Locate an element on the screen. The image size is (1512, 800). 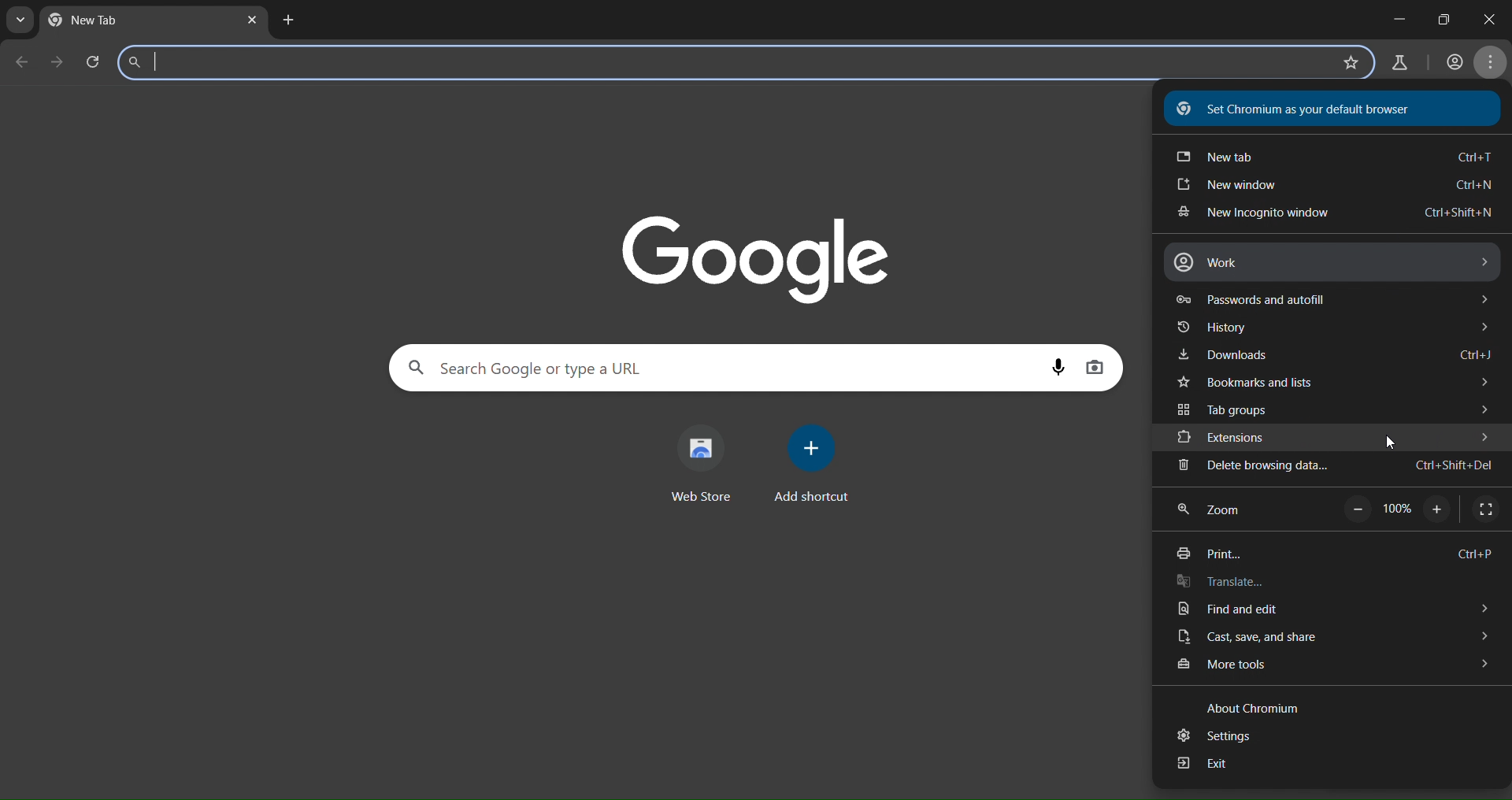
bookmarks and lists is located at coordinates (1332, 380).